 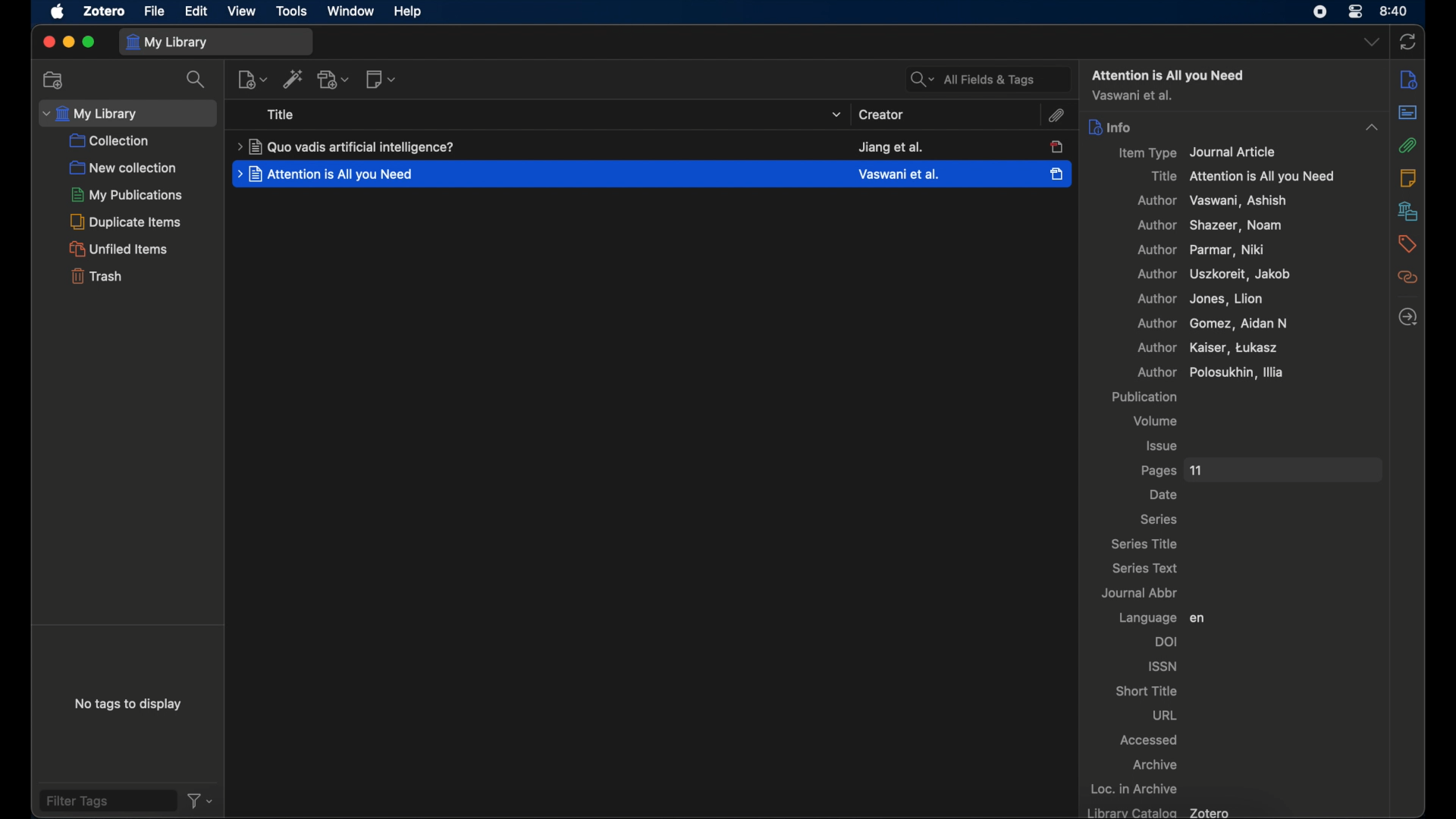 What do you see at coordinates (46, 42) in the screenshot?
I see `close` at bounding box center [46, 42].